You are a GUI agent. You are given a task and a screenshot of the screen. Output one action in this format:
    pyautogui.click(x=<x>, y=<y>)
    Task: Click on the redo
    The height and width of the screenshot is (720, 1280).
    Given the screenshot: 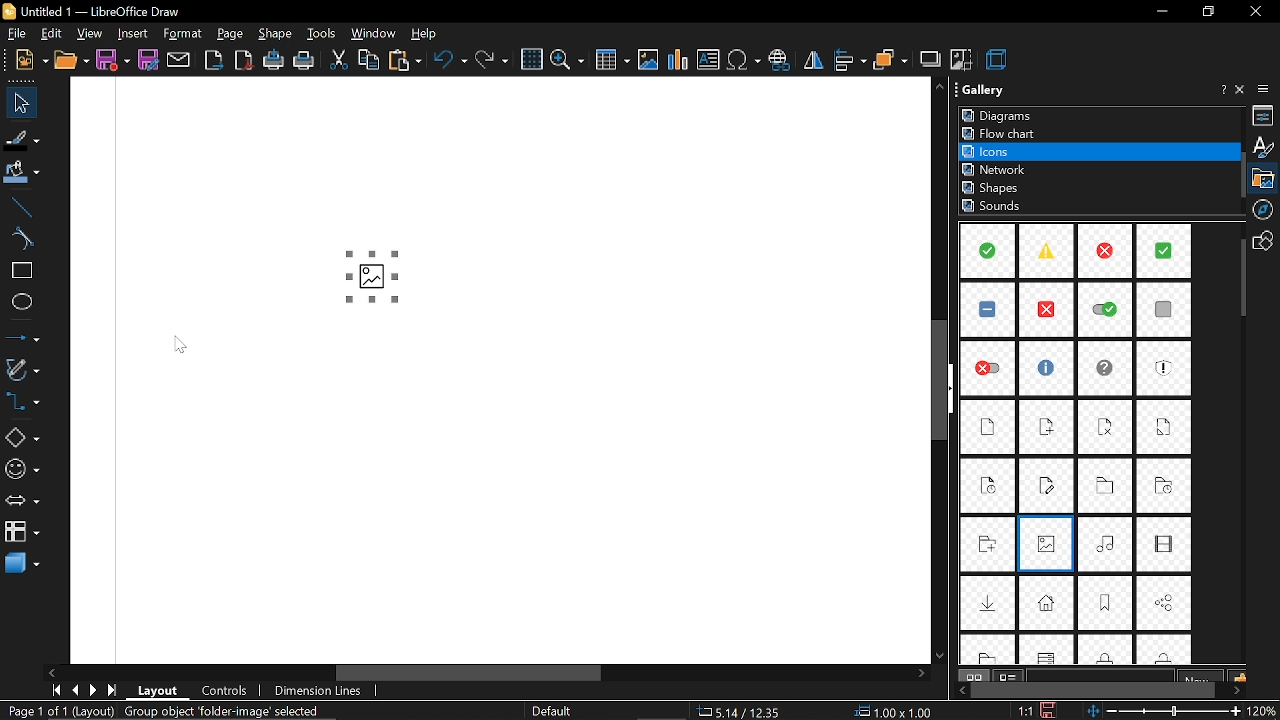 What is the action you would take?
    pyautogui.click(x=494, y=59)
    